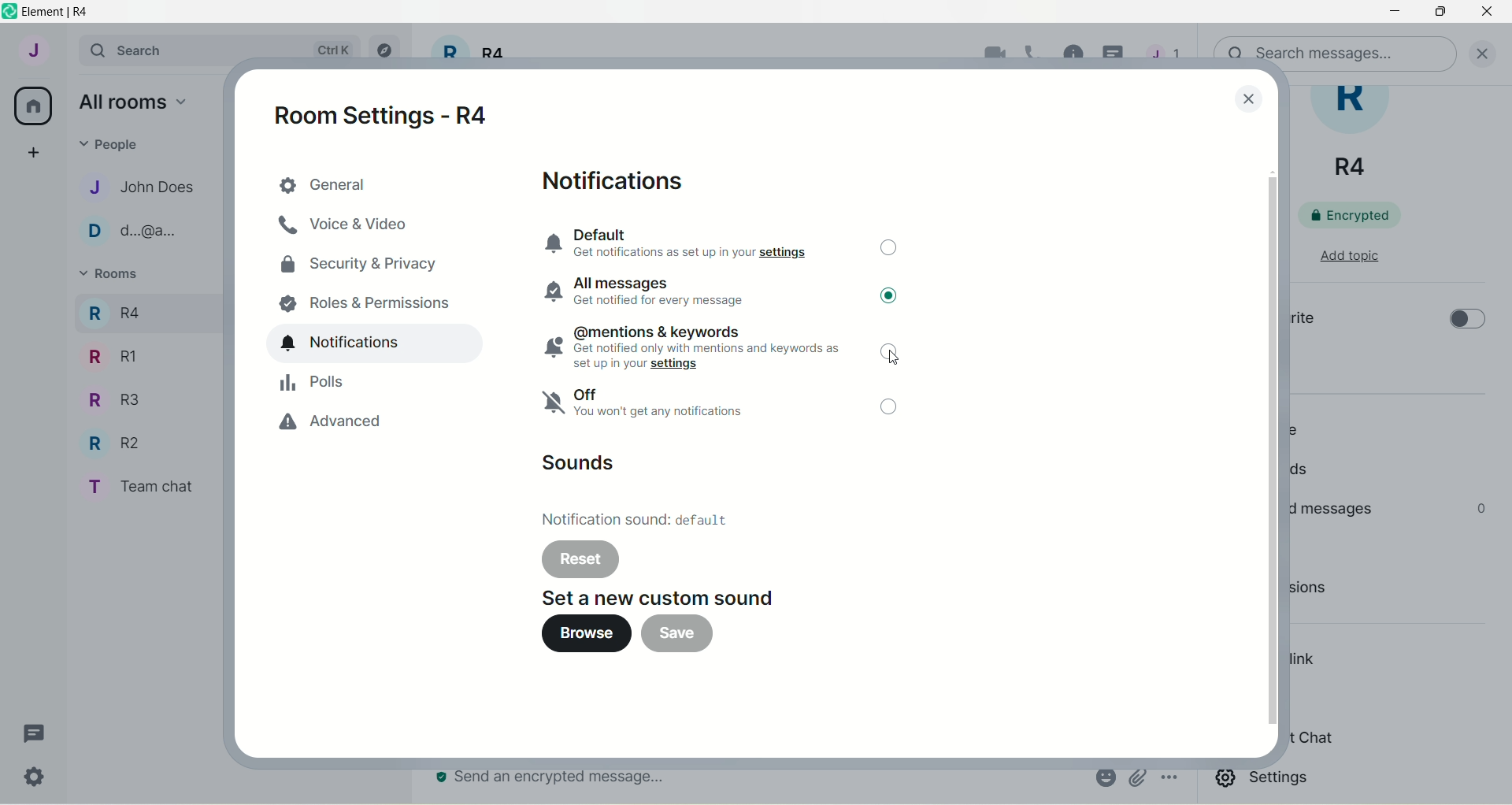 This screenshot has height=805, width=1512. What do you see at coordinates (61, 12) in the screenshot?
I see `element` at bounding box center [61, 12].